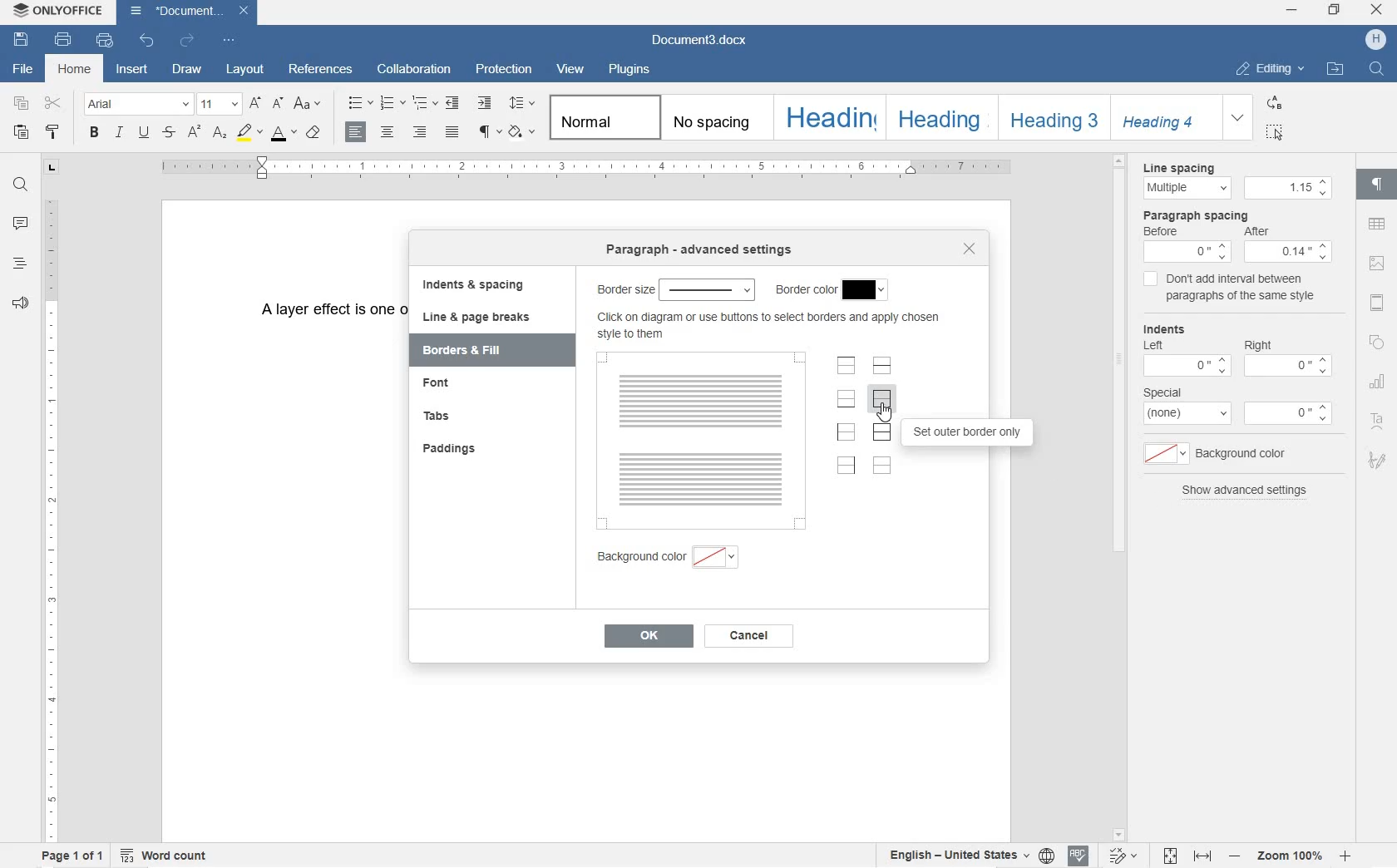  Describe the element at coordinates (416, 71) in the screenshot. I see `COLLABORATION` at that location.